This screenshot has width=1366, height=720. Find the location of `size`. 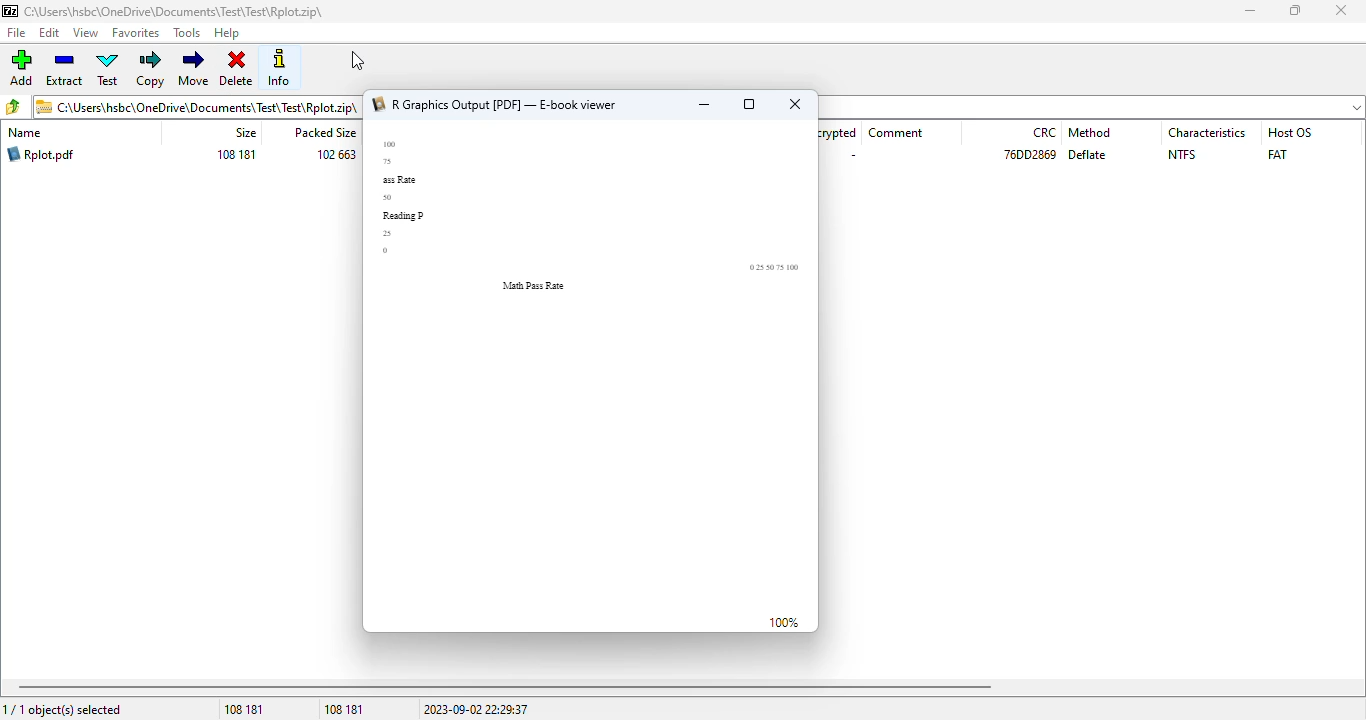

size is located at coordinates (244, 133).